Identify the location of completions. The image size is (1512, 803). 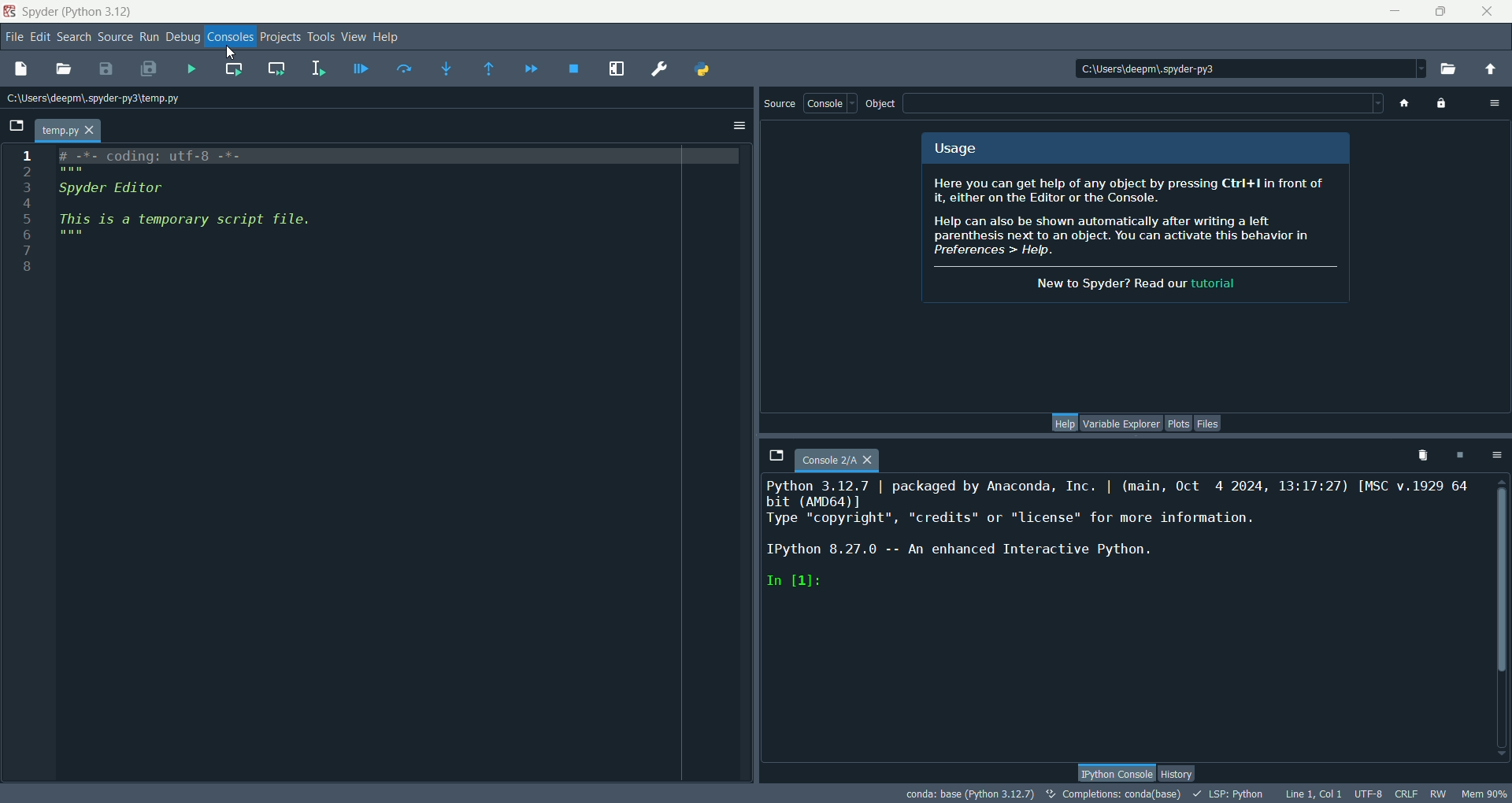
(1113, 794).